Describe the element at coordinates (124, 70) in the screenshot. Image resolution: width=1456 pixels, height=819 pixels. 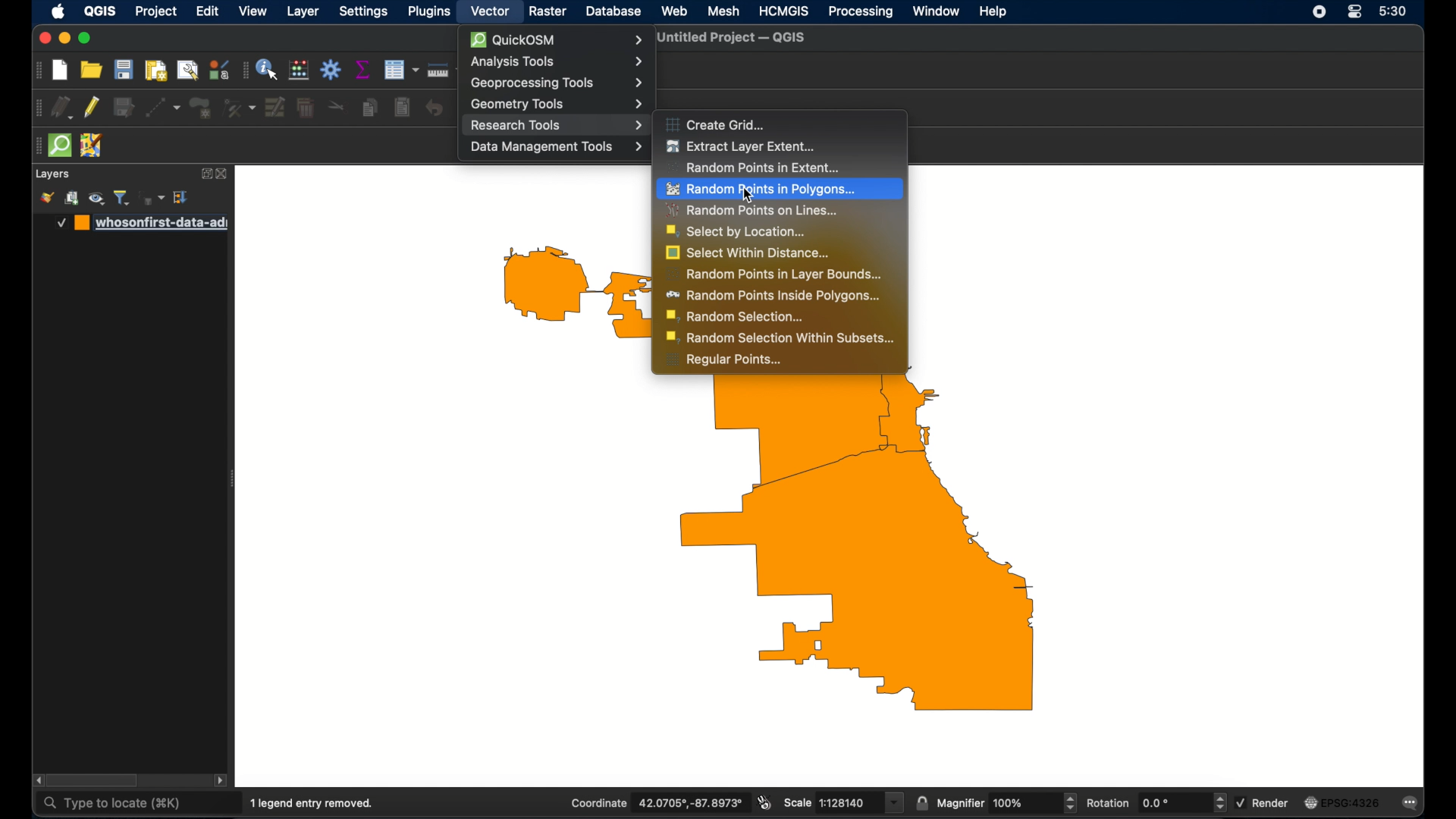
I see `save project` at that location.